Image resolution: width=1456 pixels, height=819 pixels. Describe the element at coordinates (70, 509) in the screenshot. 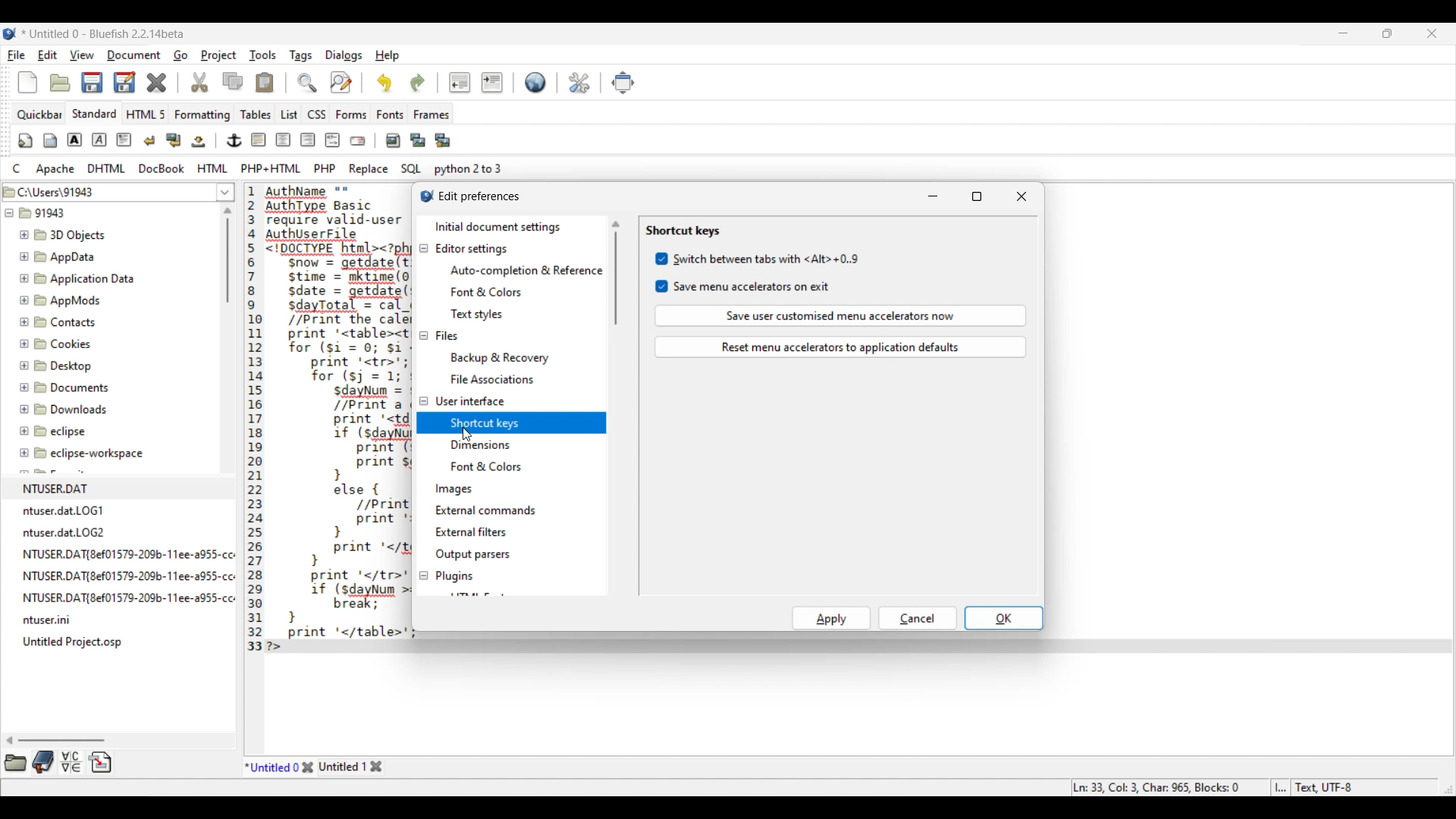

I see `ntuser.dat.LOG1` at that location.